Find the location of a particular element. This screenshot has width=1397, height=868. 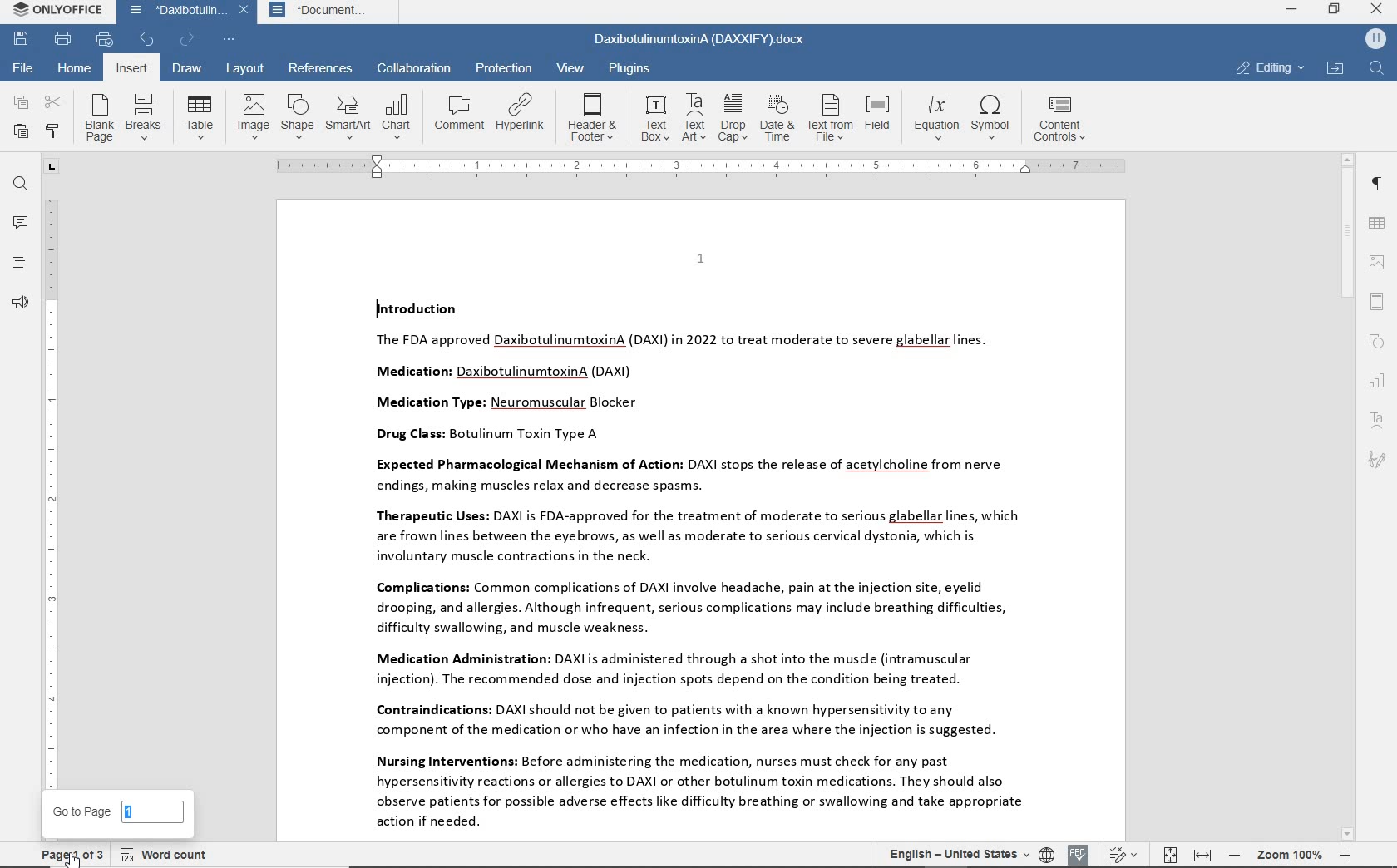

symbol is located at coordinates (994, 119).